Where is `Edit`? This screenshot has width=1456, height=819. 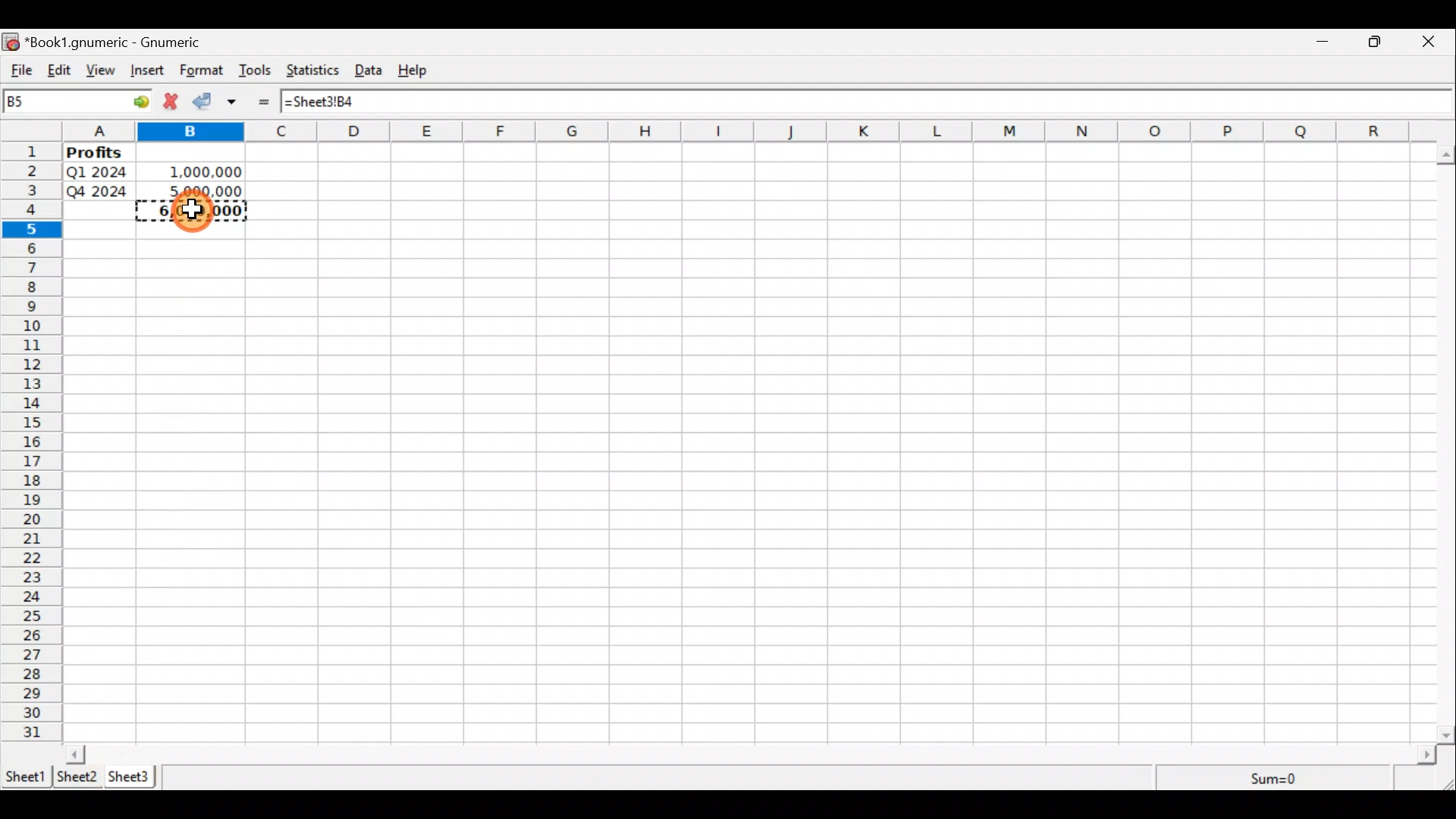
Edit is located at coordinates (59, 71).